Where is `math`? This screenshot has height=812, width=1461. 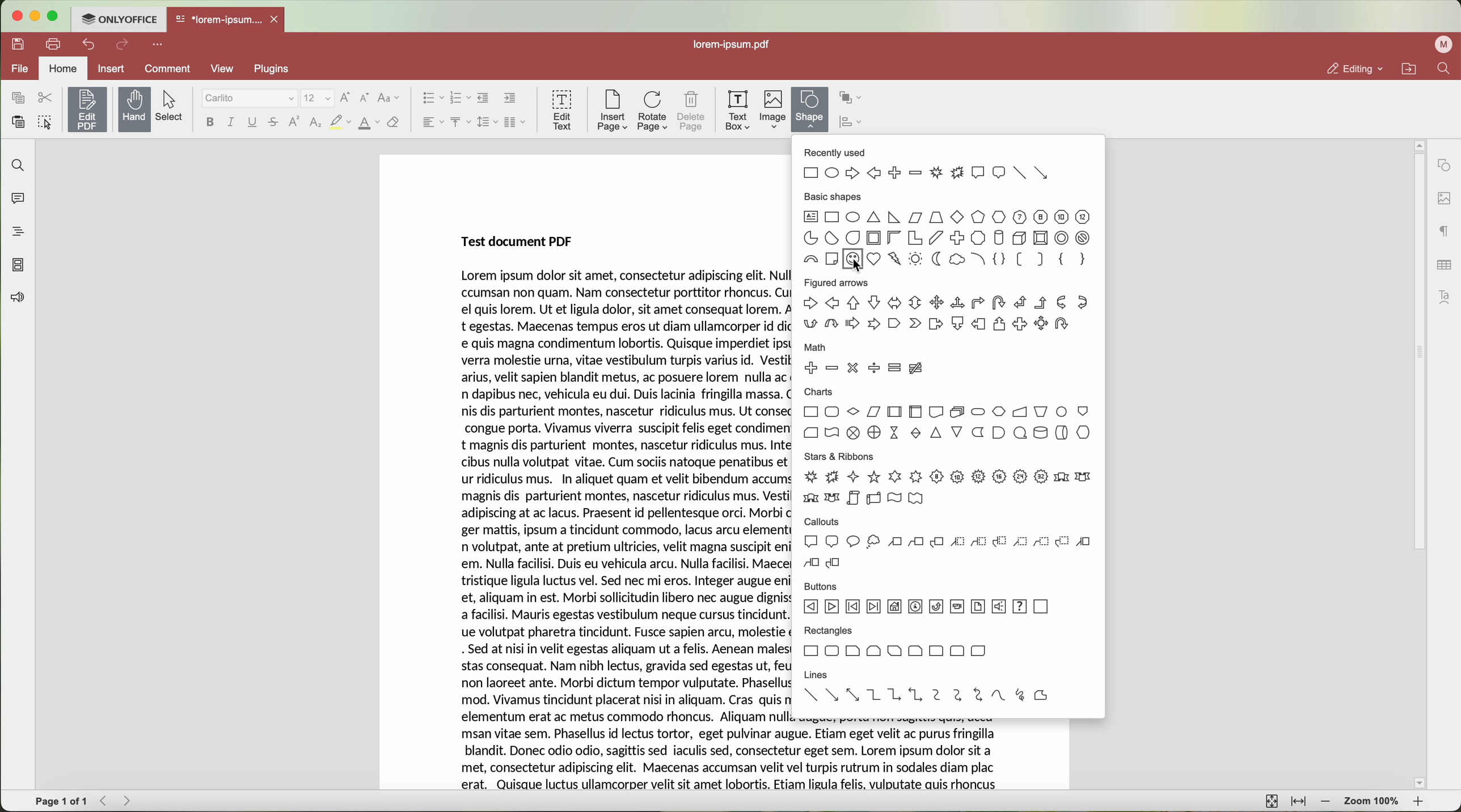
math is located at coordinates (865, 362).